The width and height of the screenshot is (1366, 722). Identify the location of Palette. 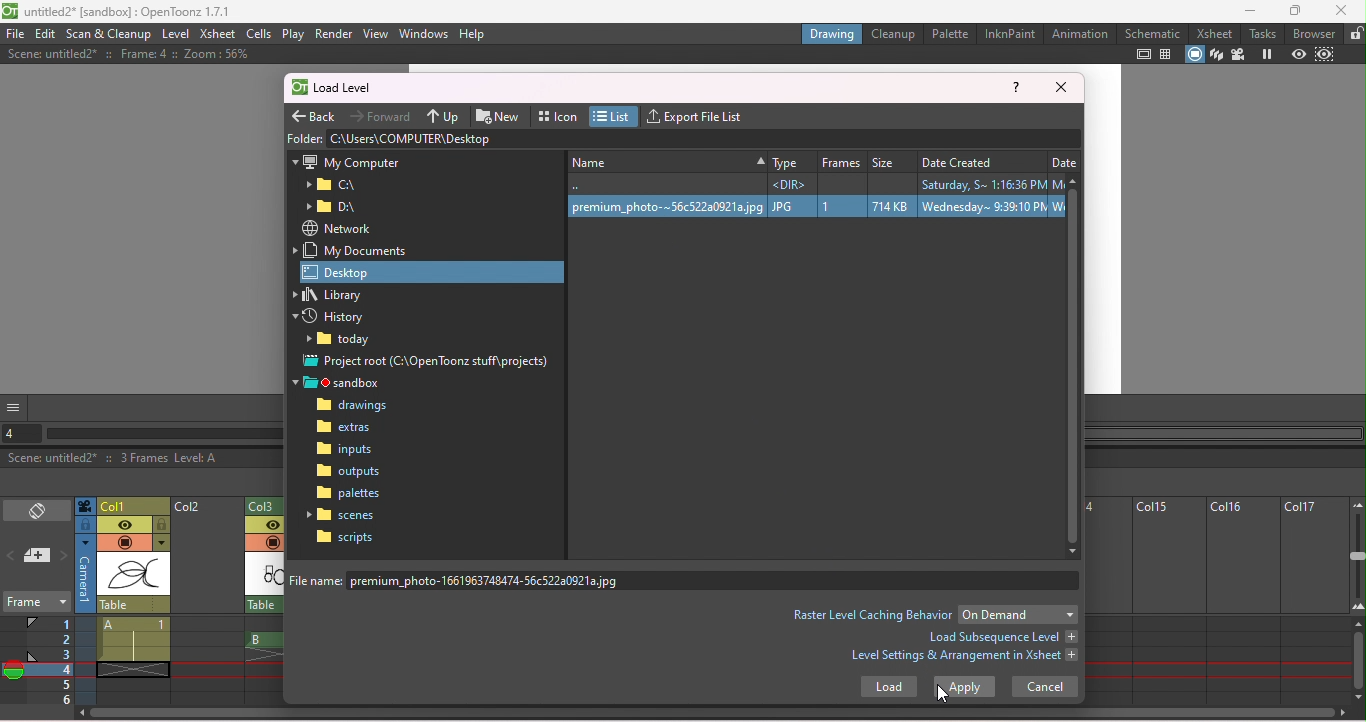
(951, 33).